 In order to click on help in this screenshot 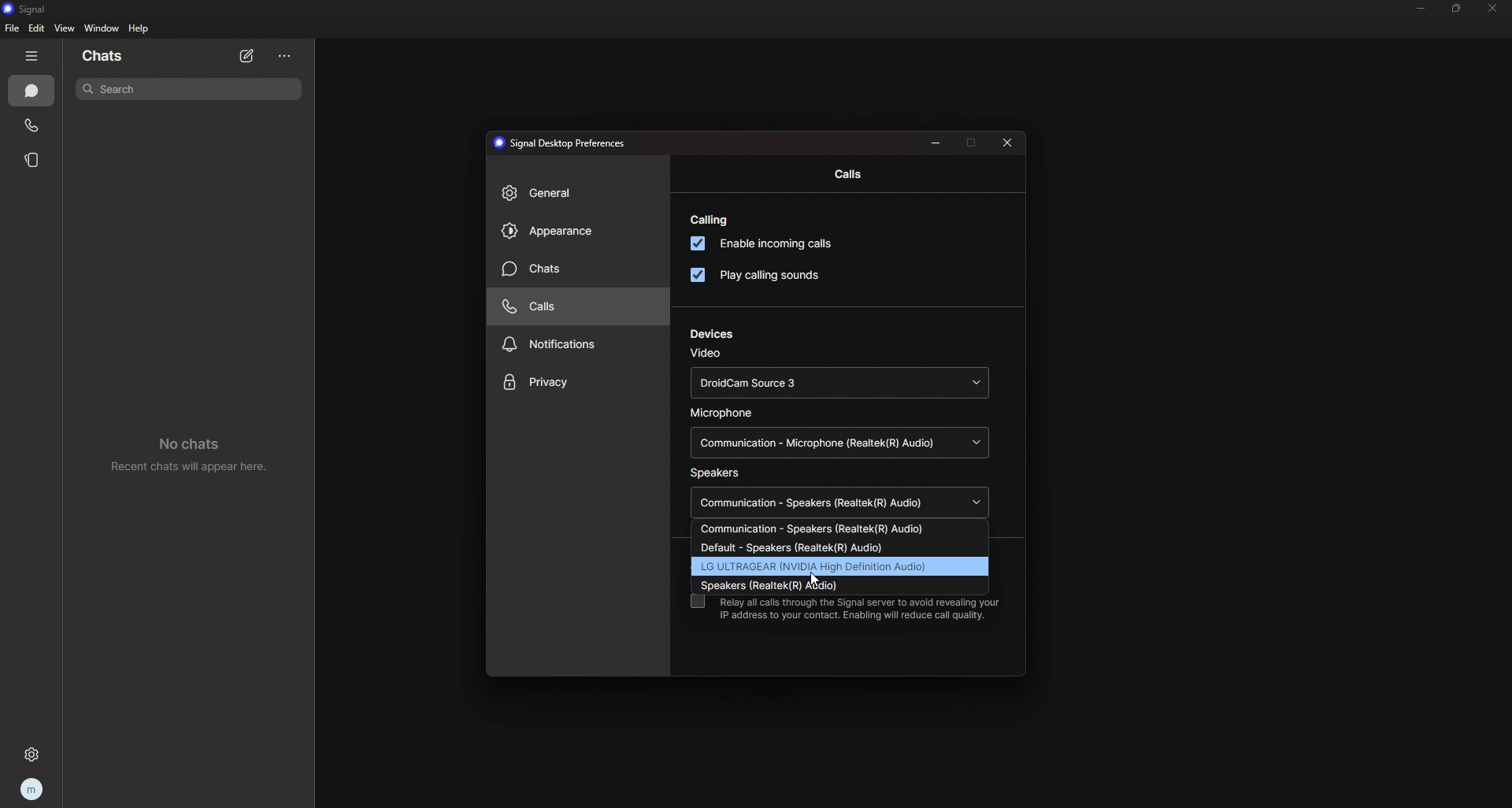, I will do `click(139, 28)`.